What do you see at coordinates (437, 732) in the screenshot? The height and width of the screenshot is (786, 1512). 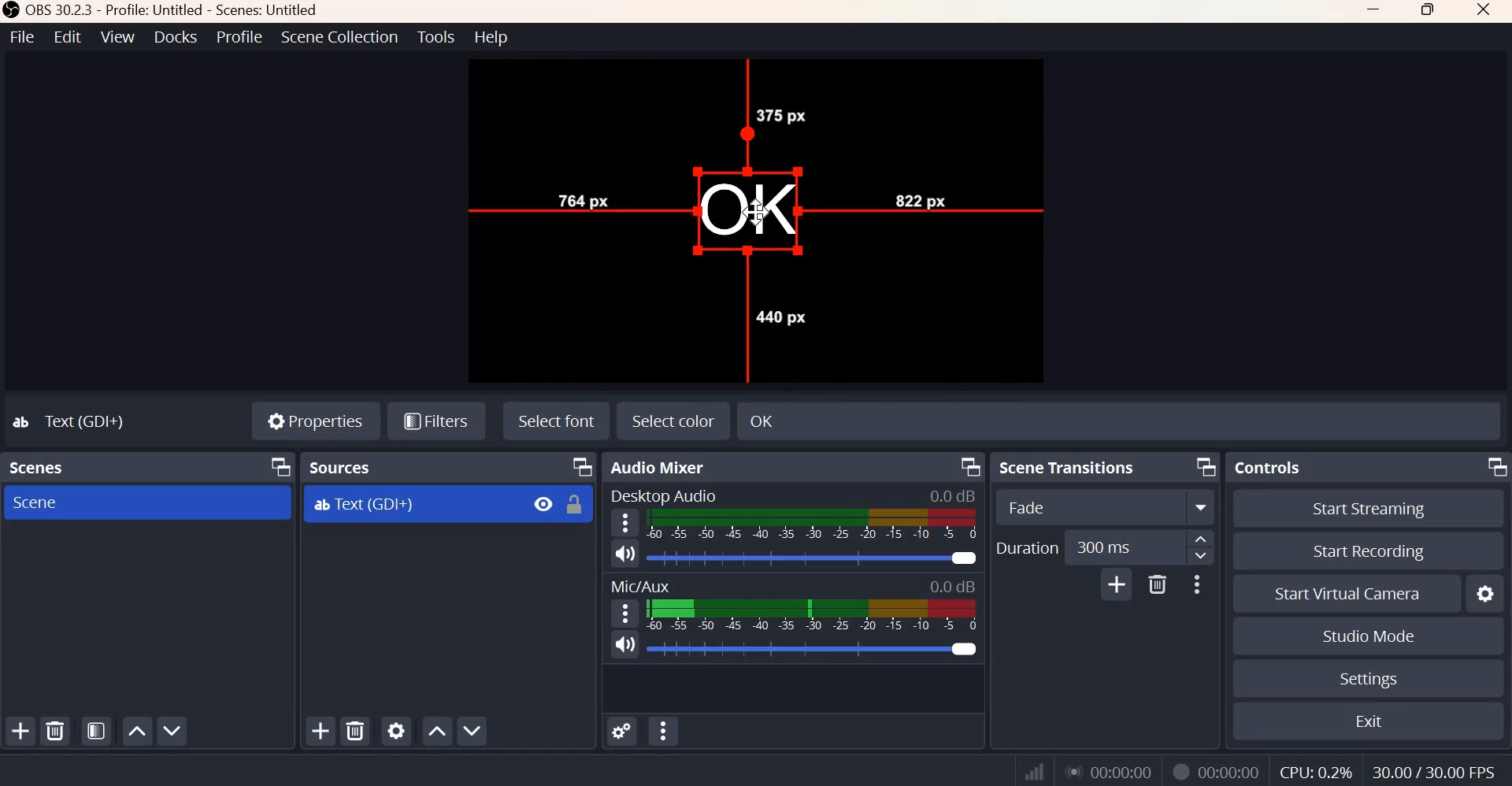 I see `move source(s) up` at bounding box center [437, 732].